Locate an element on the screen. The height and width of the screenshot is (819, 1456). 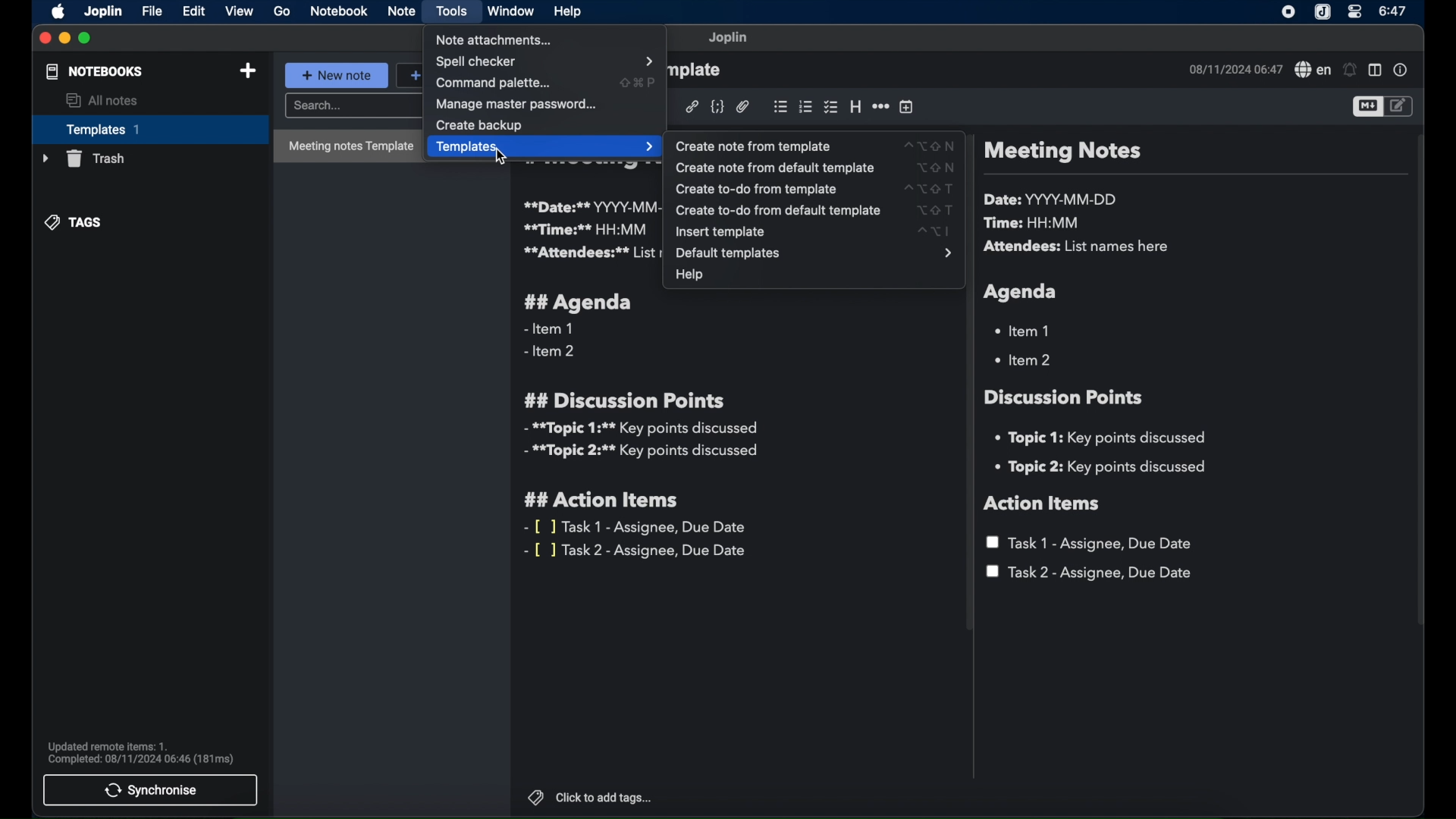
edit is located at coordinates (193, 11).